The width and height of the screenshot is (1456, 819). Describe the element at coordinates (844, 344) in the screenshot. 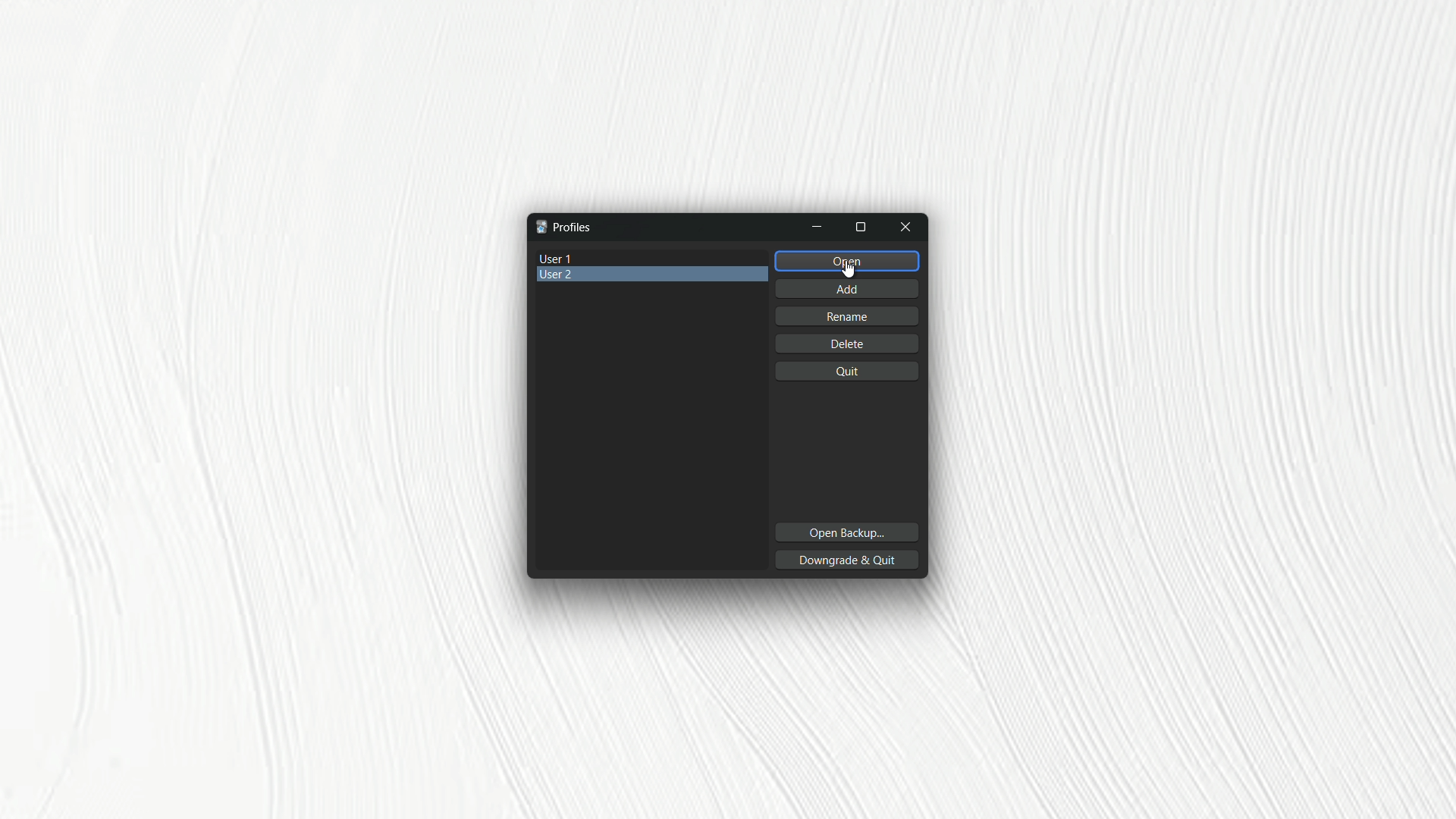

I see `Delete` at that location.